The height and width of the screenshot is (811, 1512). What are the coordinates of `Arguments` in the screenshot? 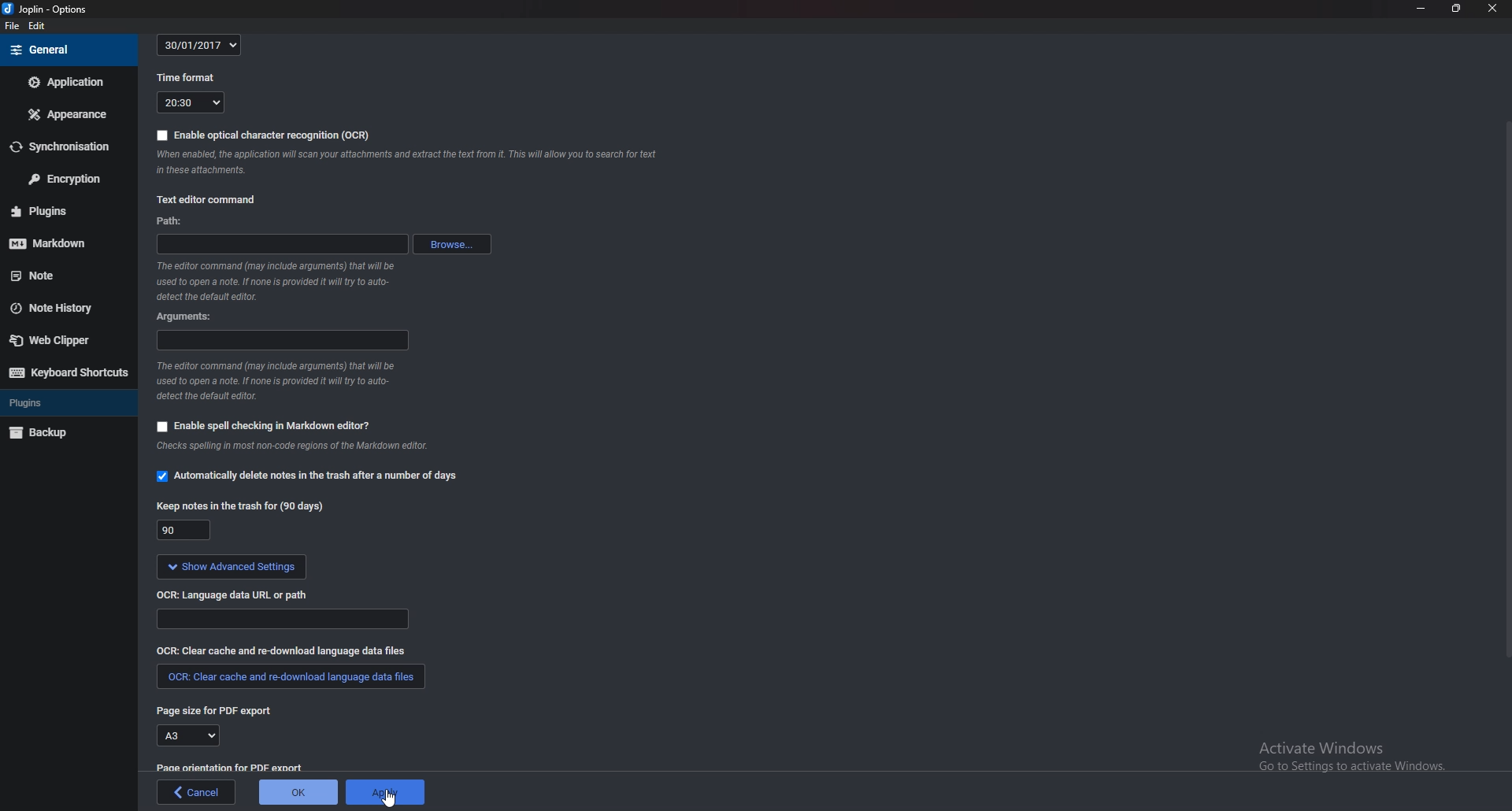 It's located at (185, 317).